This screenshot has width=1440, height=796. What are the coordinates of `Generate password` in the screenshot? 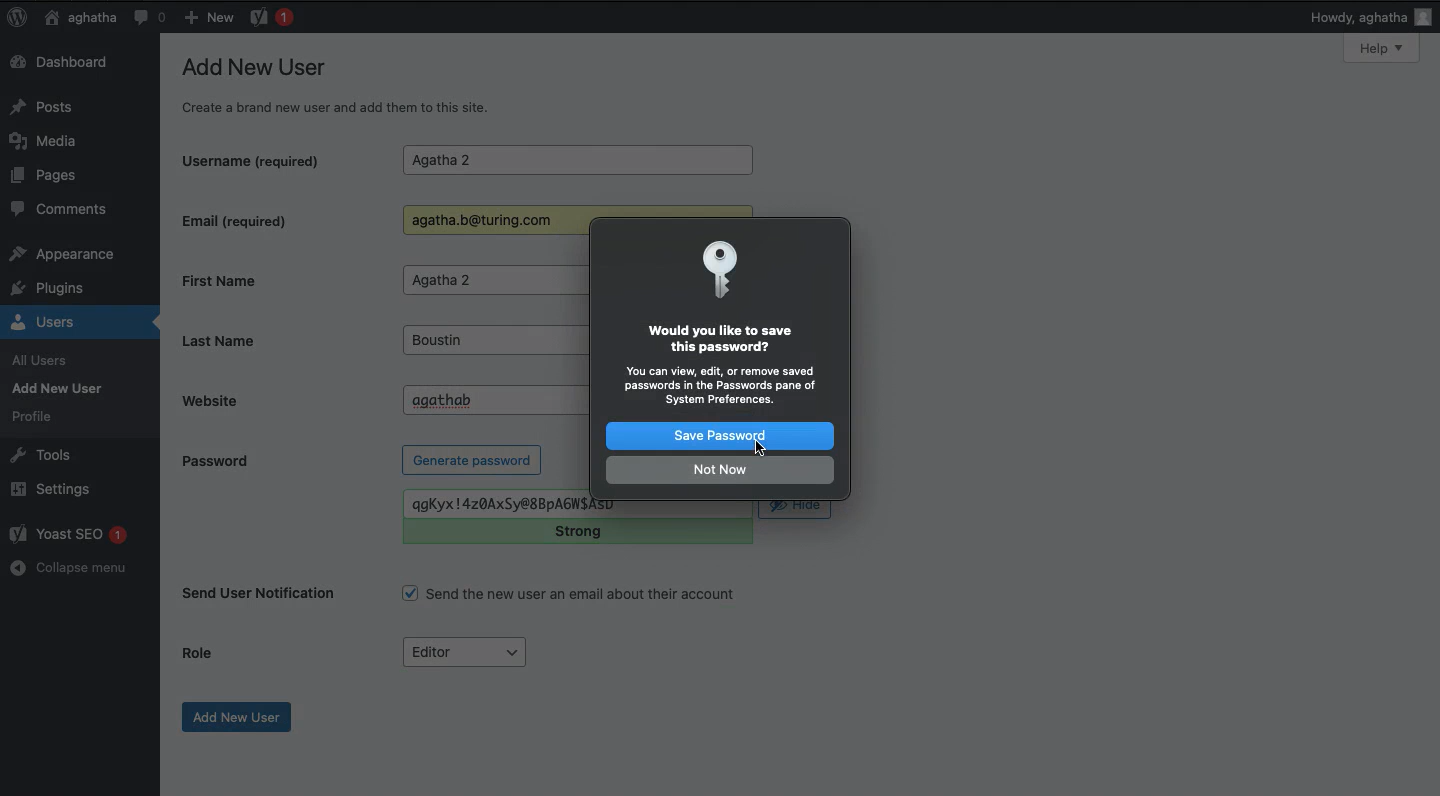 It's located at (472, 459).